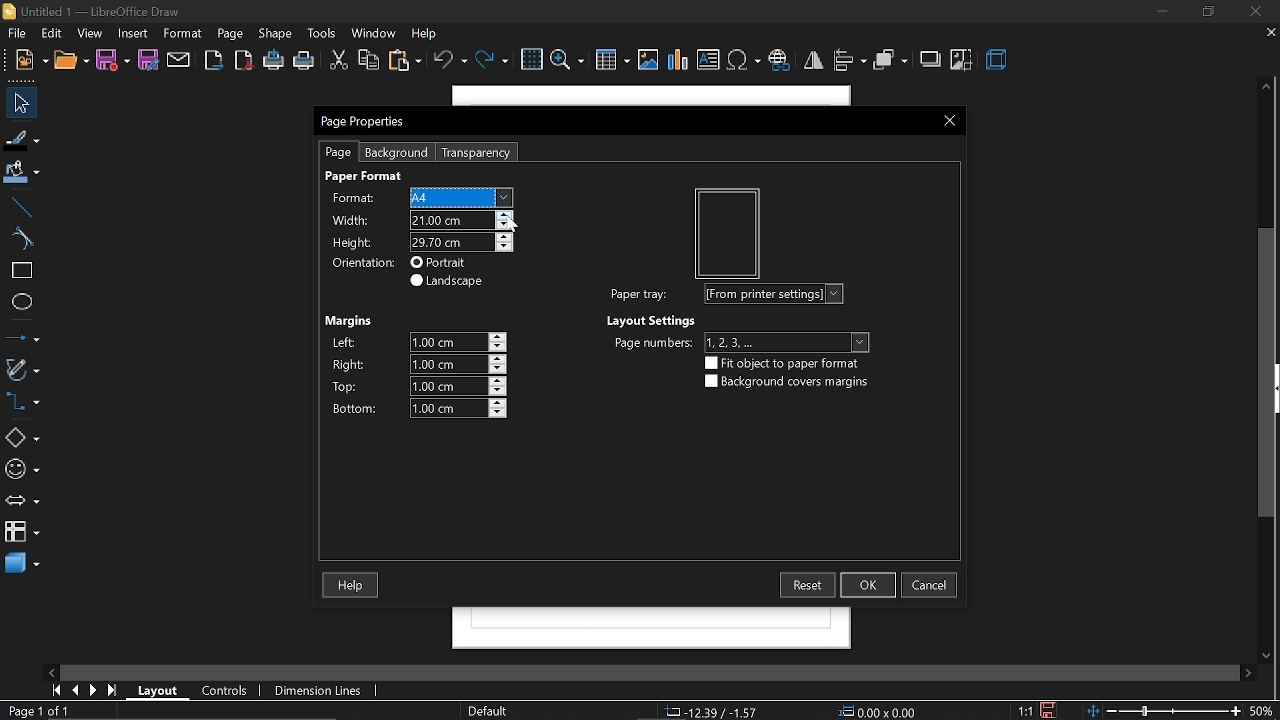  I want to click on page, so click(230, 34).